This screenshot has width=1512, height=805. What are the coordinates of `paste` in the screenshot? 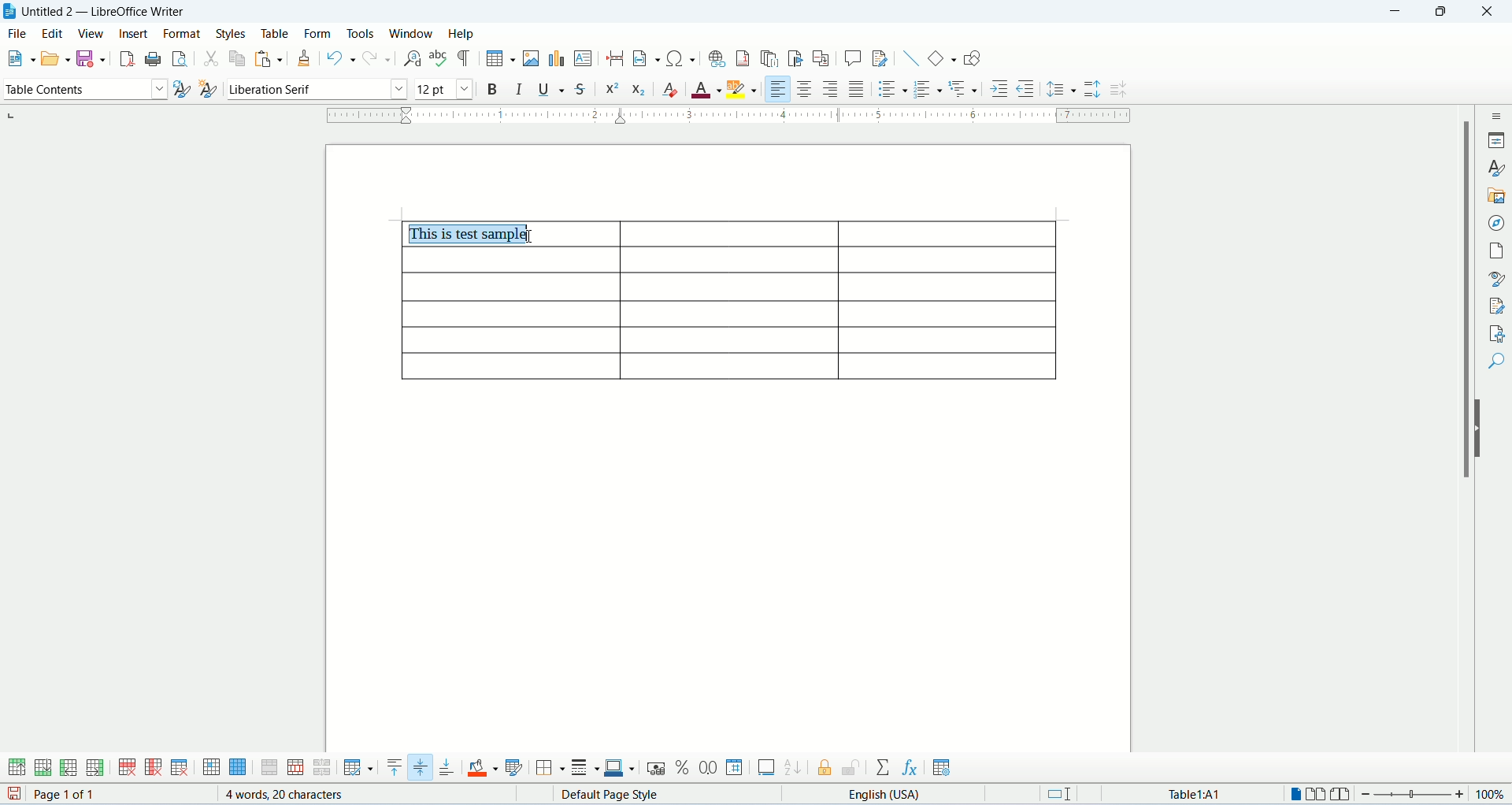 It's located at (265, 60).